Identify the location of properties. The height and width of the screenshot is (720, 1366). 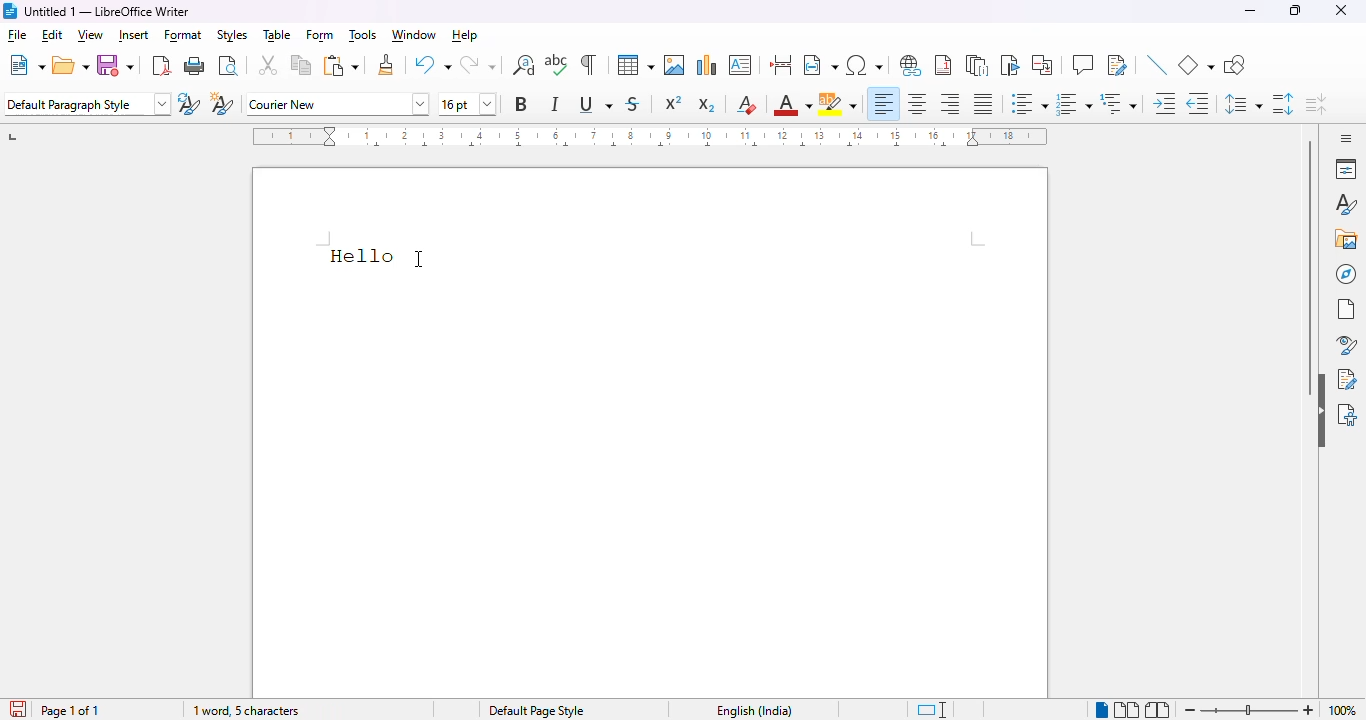
(1346, 168).